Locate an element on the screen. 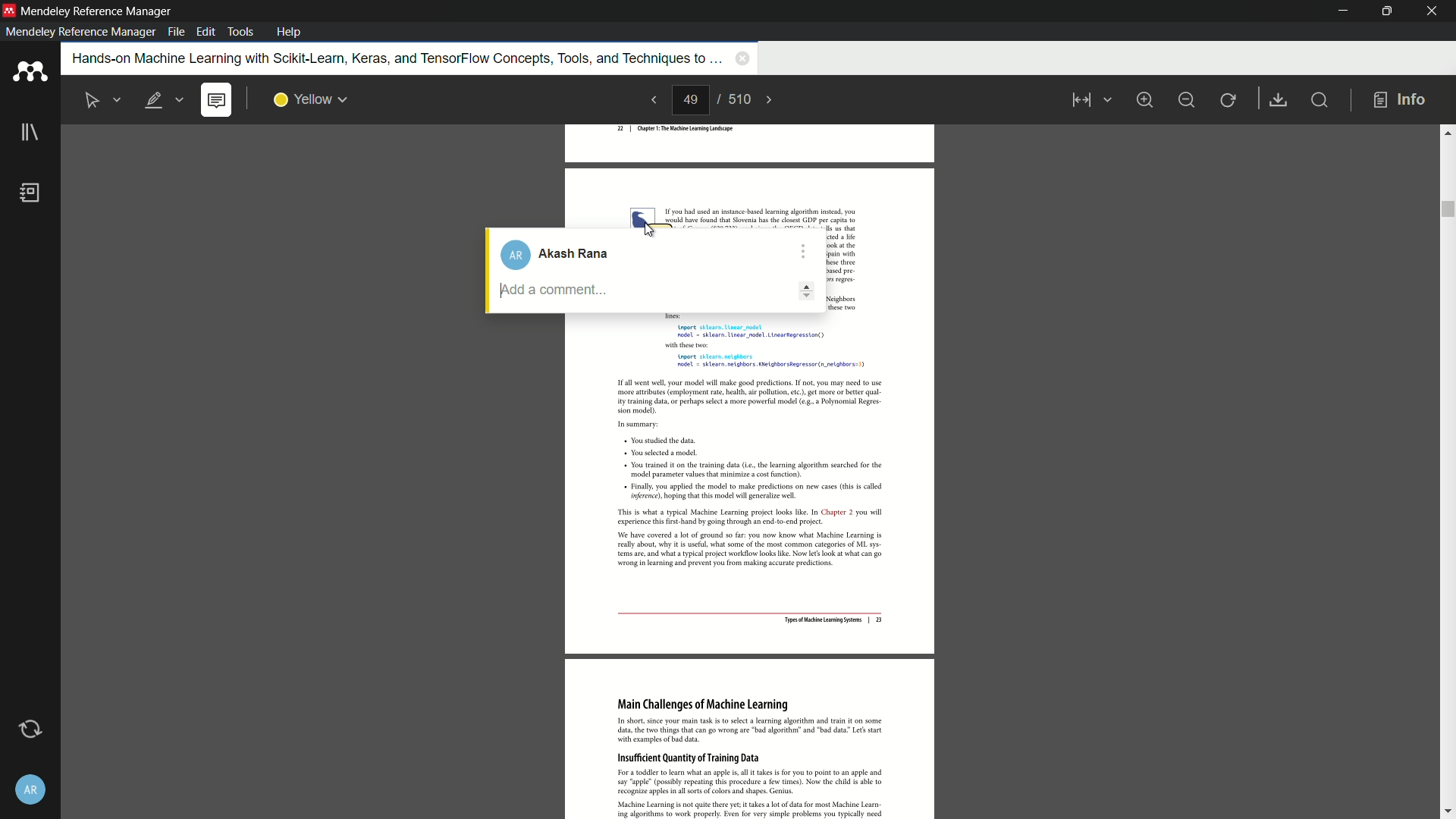  minimize is located at coordinates (1337, 11).